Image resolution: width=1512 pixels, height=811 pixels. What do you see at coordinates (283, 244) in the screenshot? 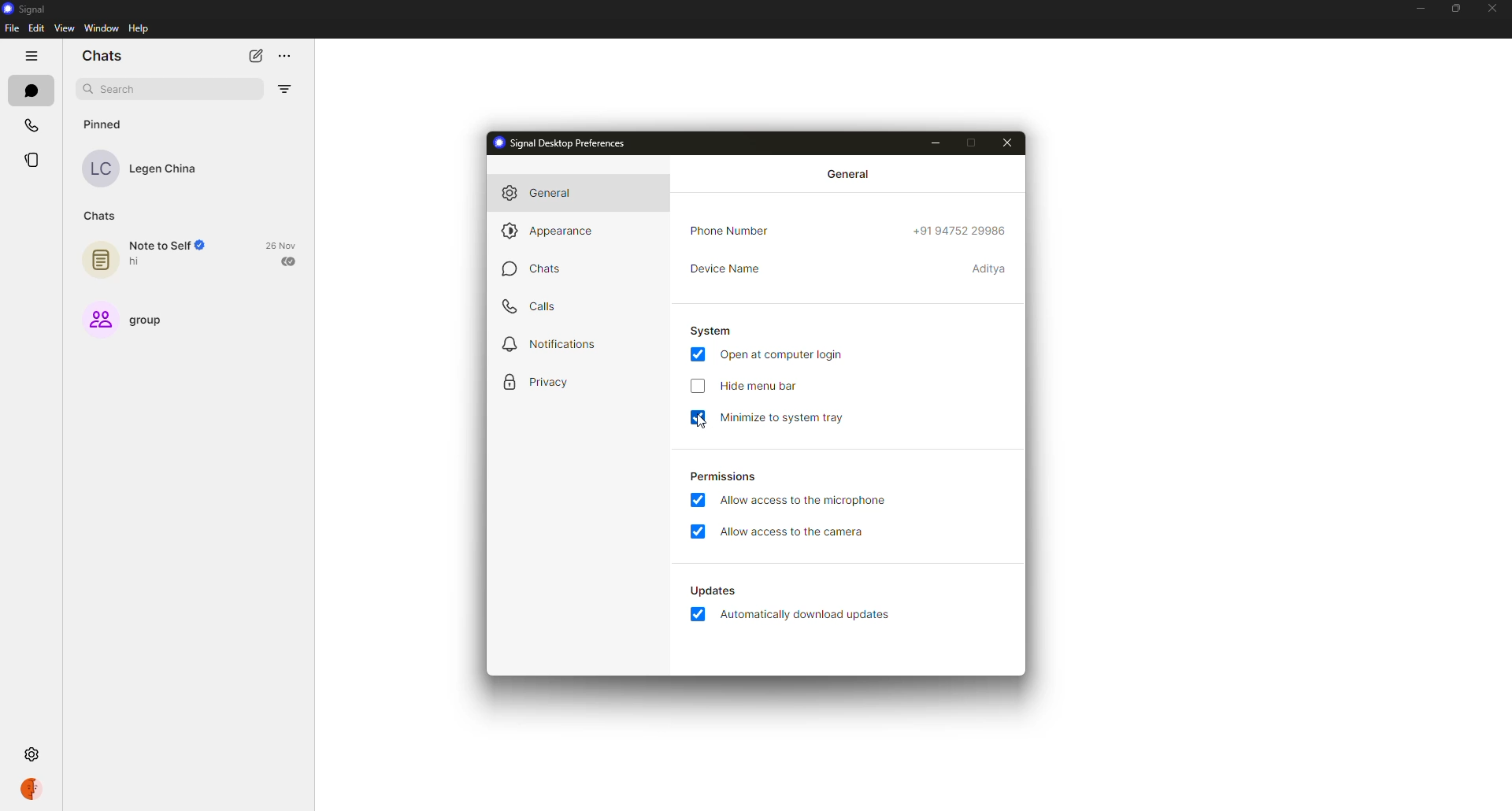
I see `date` at bounding box center [283, 244].